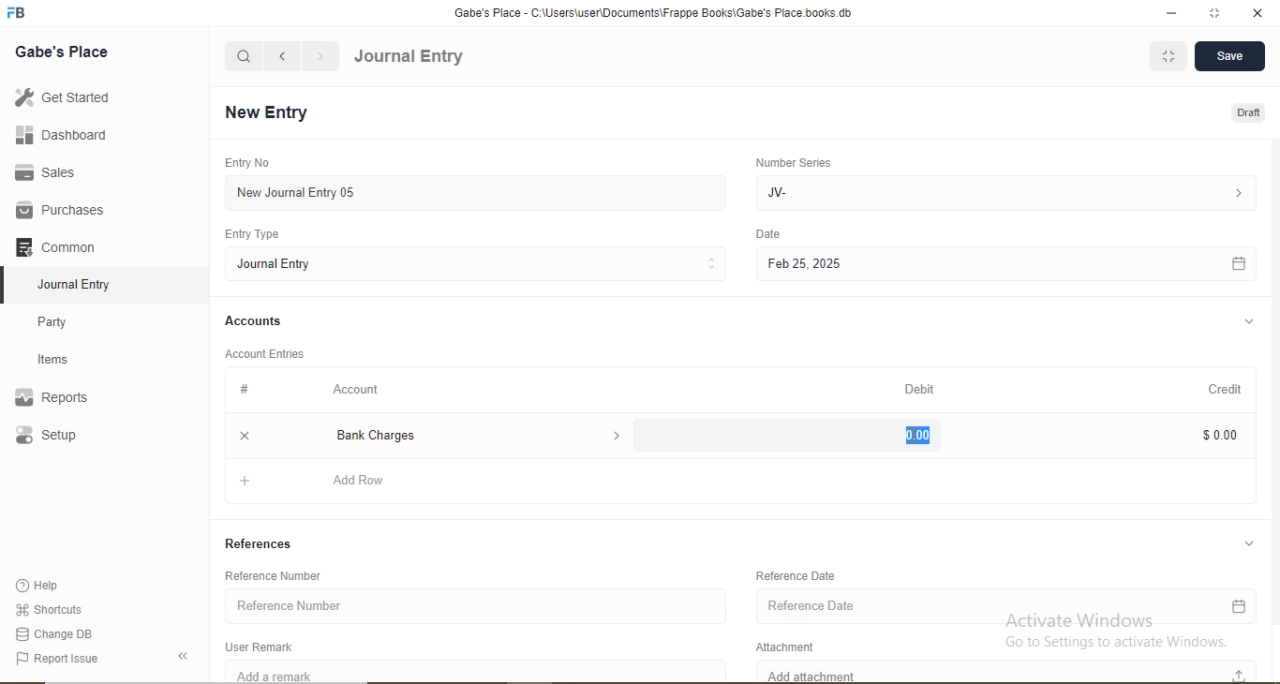 The image size is (1280, 684). Describe the element at coordinates (80, 282) in the screenshot. I see `Journal Entry` at that location.